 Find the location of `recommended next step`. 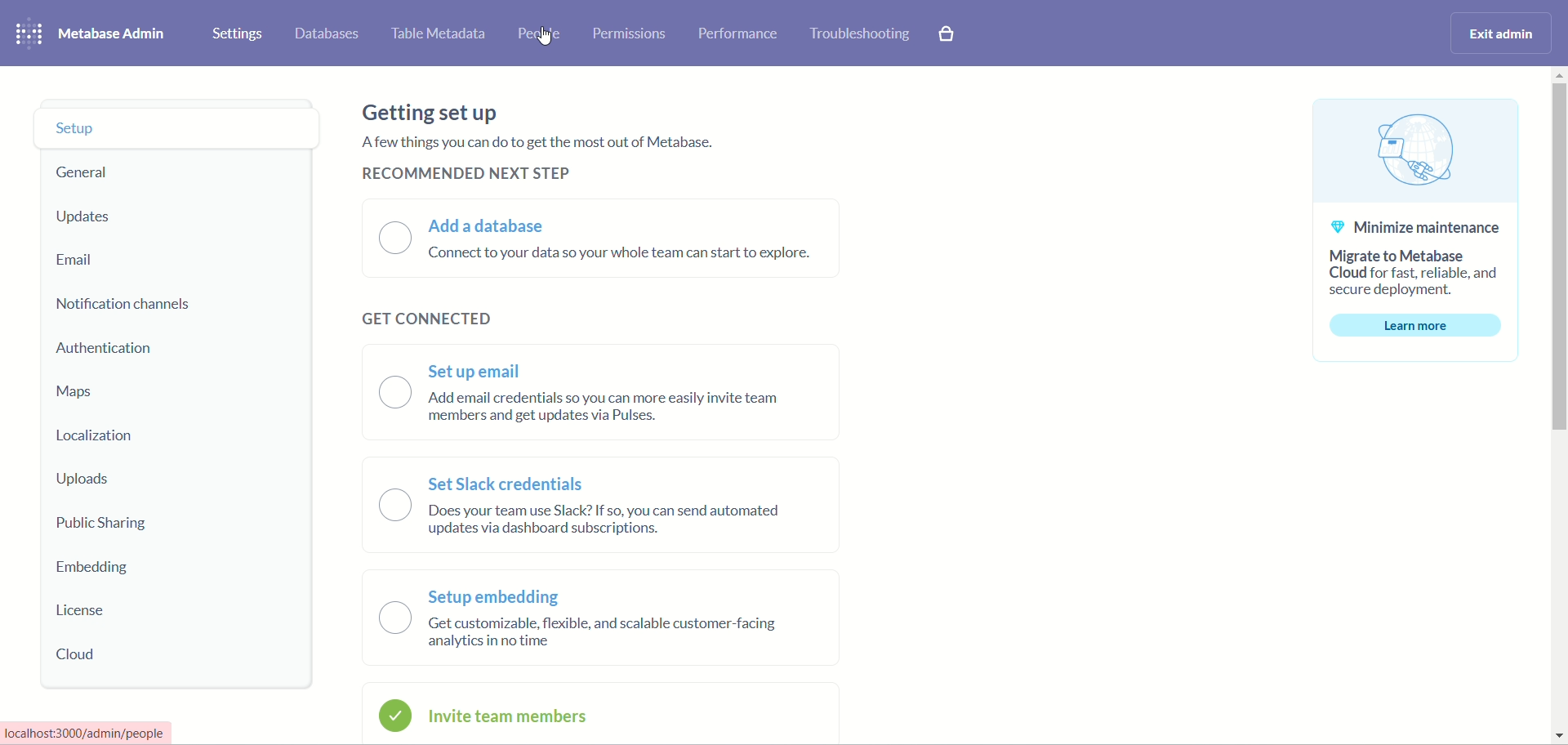

recommended next step is located at coordinates (463, 175).